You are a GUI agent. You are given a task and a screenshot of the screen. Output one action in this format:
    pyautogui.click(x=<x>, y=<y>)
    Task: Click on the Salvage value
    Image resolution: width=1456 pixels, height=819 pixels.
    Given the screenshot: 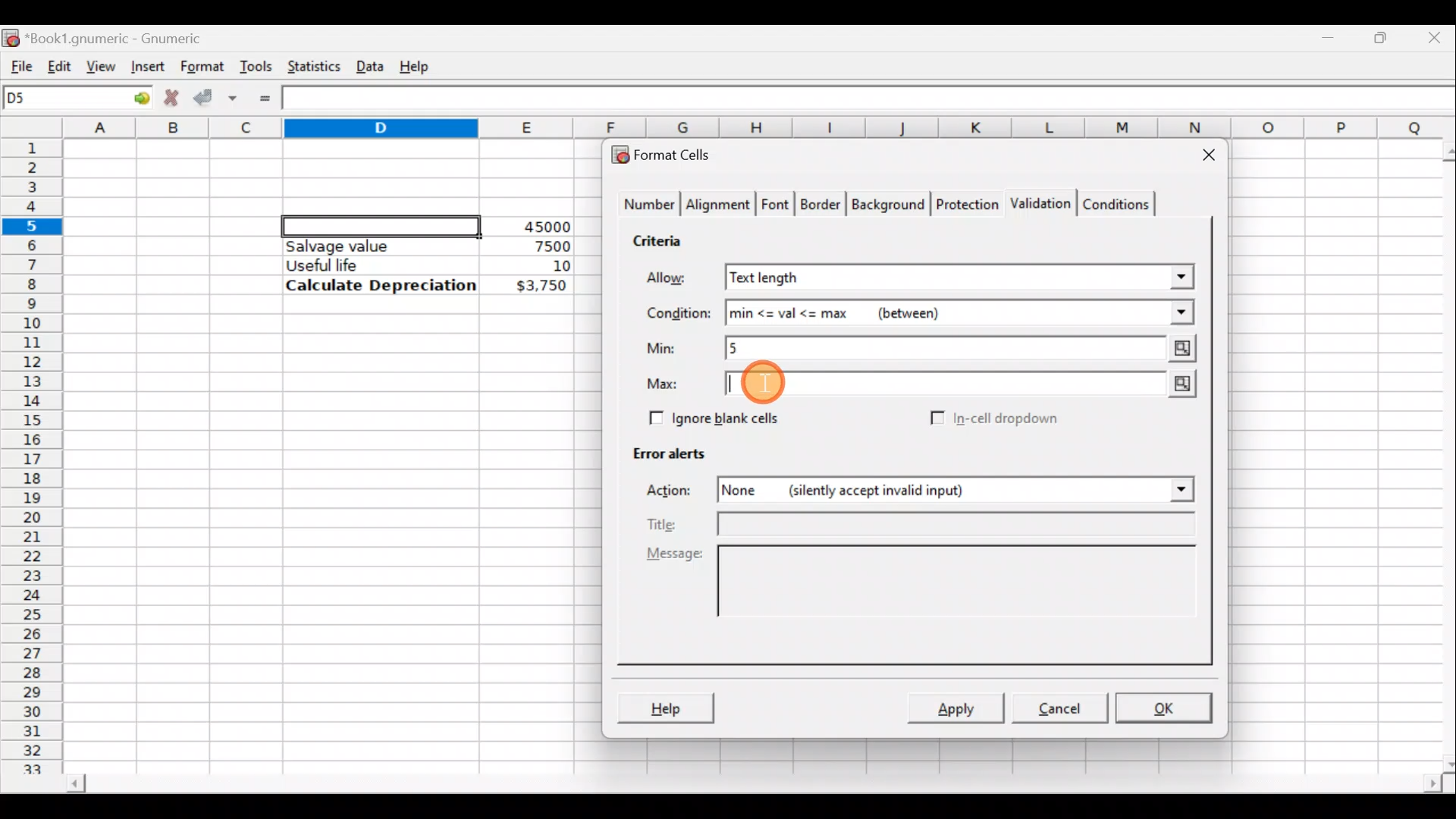 What is the action you would take?
    pyautogui.click(x=367, y=246)
    